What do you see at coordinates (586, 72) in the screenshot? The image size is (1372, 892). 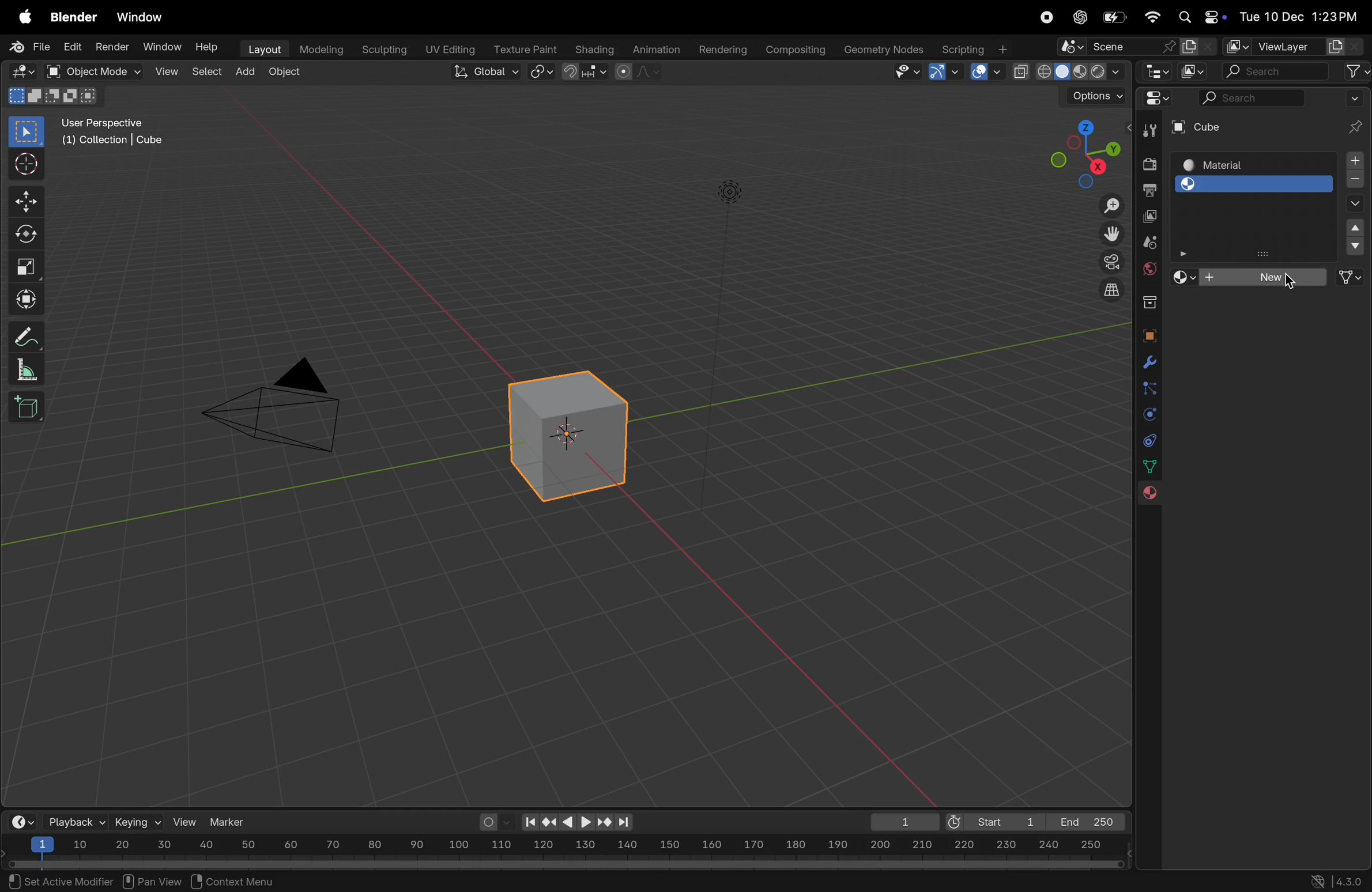 I see `transform point` at bounding box center [586, 72].